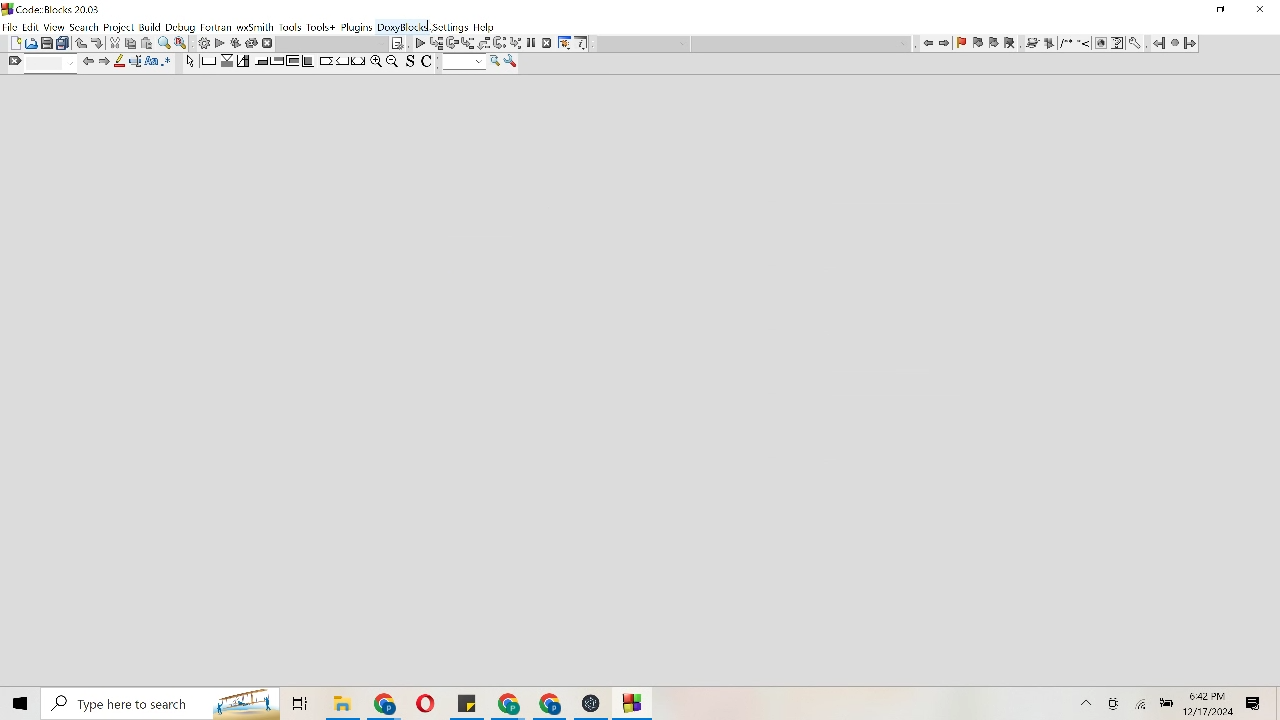  Describe the element at coordinates (398, 43) in the screenshot. I see `Note` at that location.